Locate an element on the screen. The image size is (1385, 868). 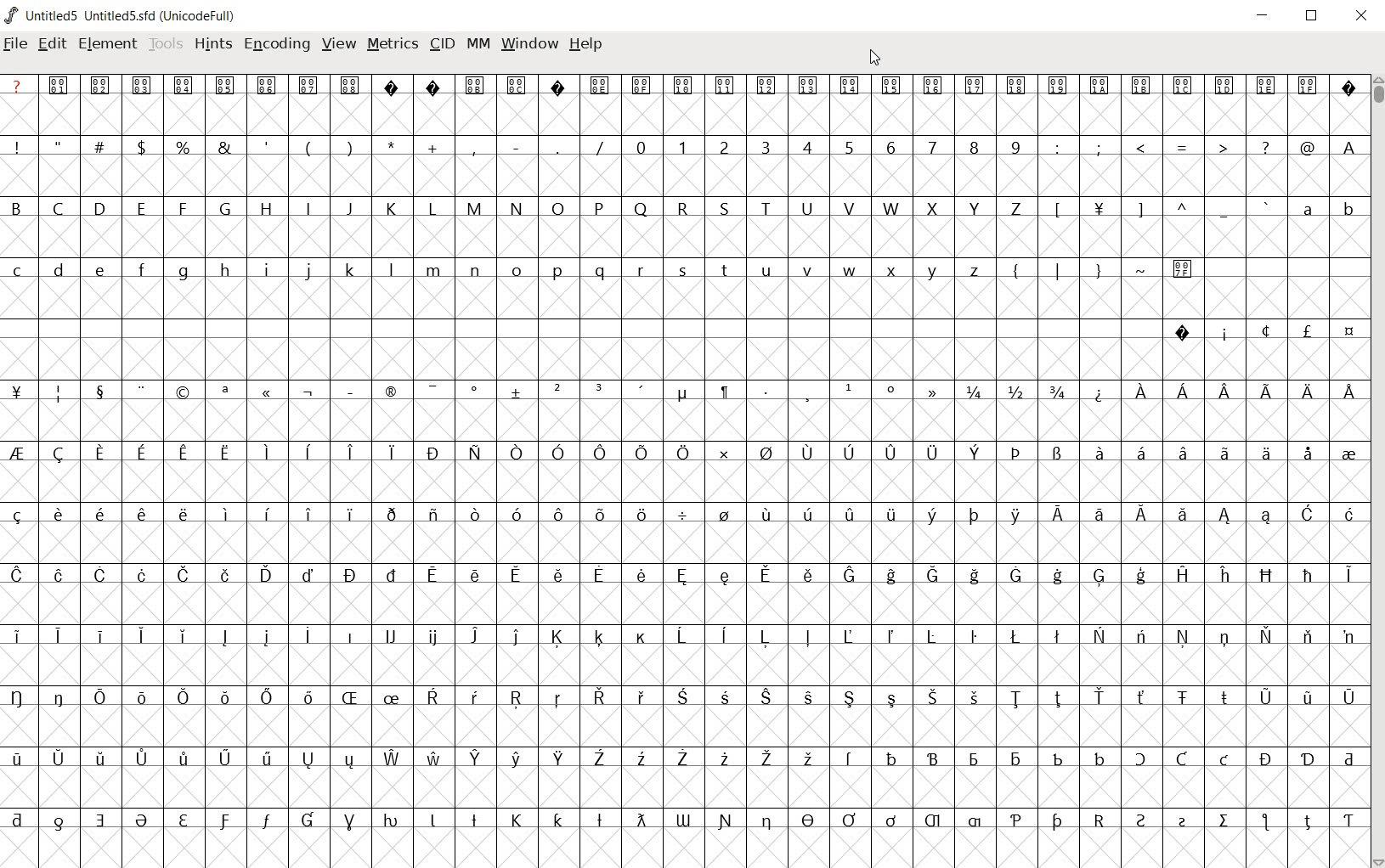
R is located at coordinates (685, 208).